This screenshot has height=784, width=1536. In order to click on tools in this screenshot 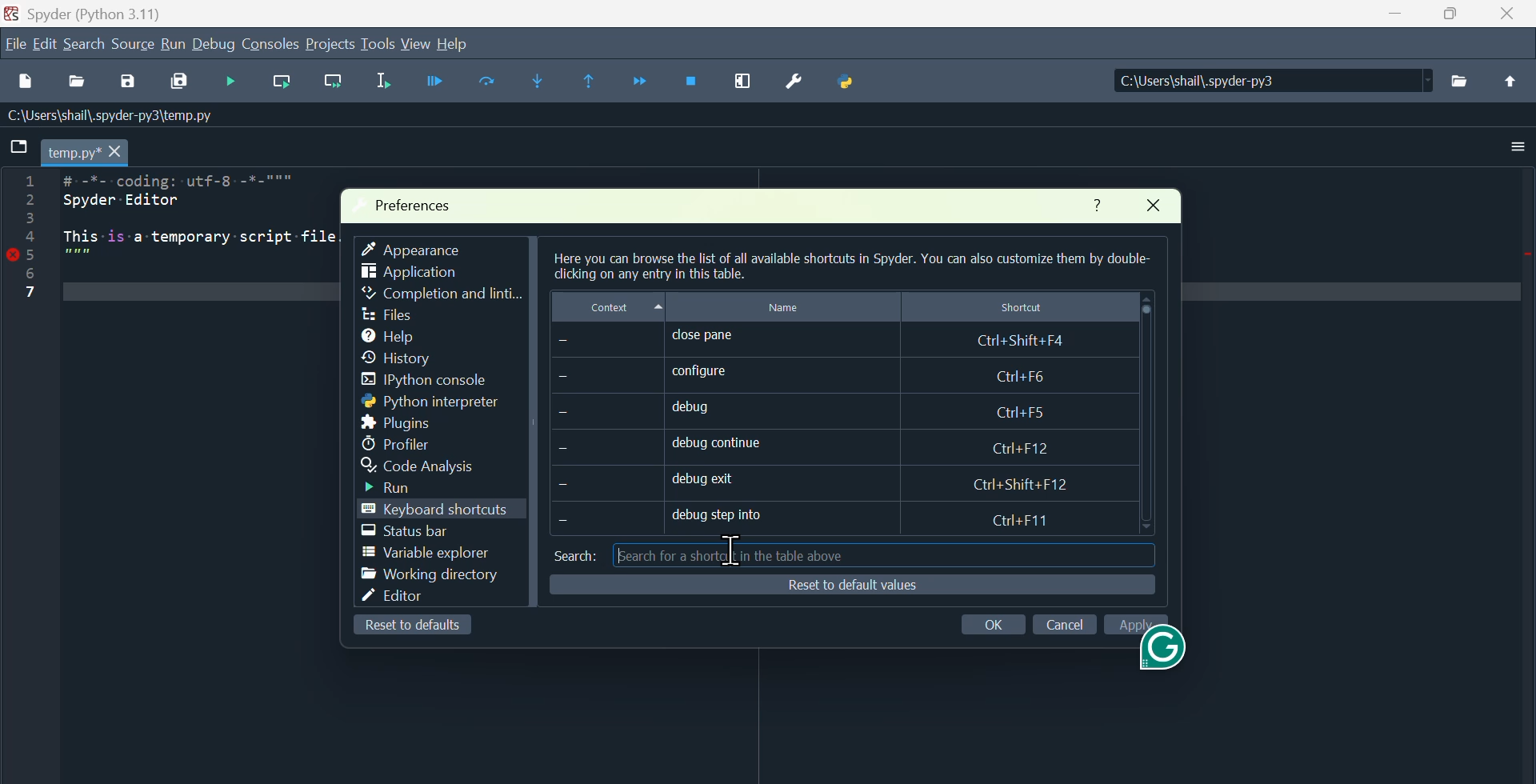, I will do `click(378, 44)`.